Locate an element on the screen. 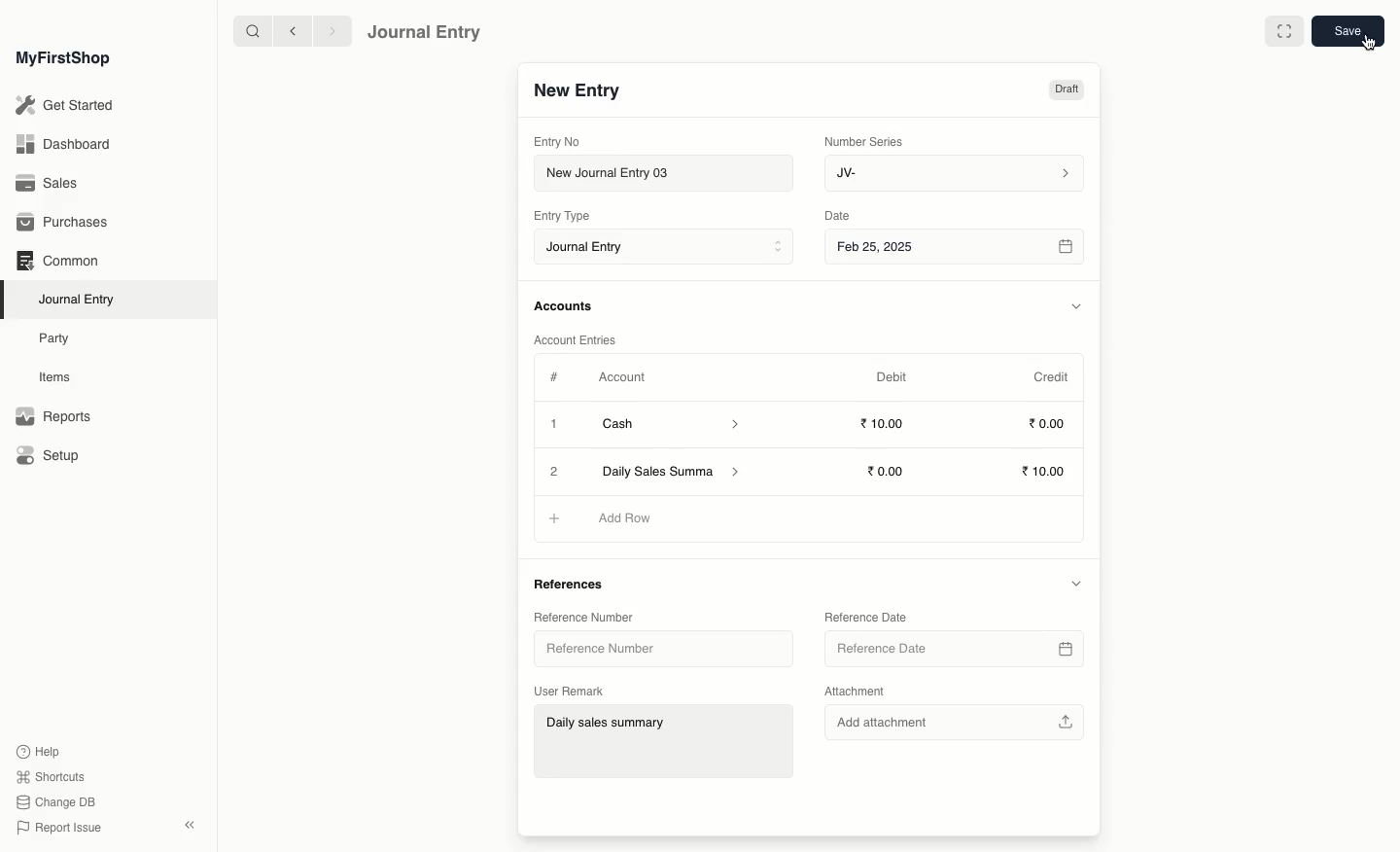 This screenshot has height=852, width=1400. 1 is located at coordinates (556, 426).